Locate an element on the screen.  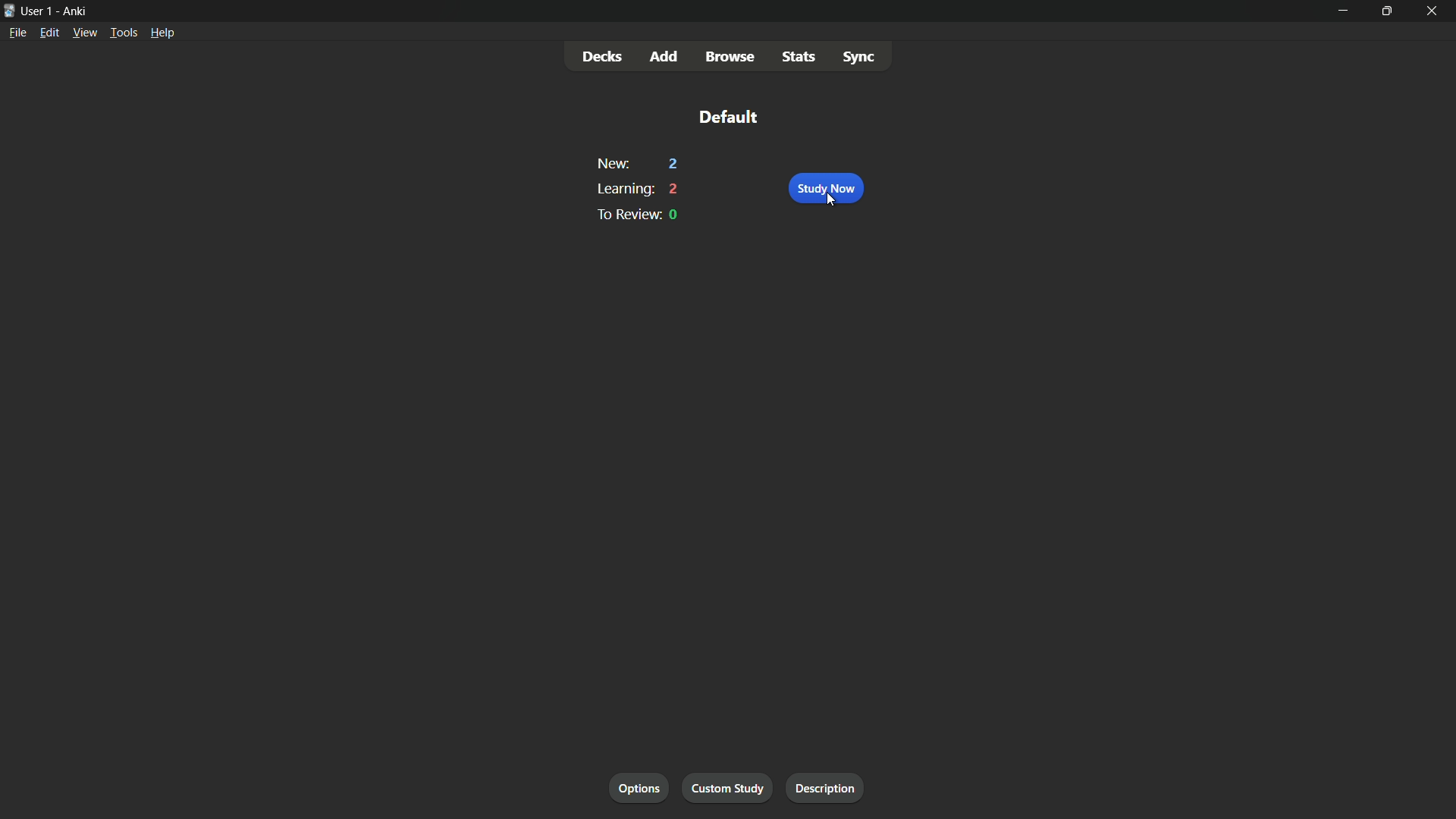
edit is located at coordinates (51, 32).